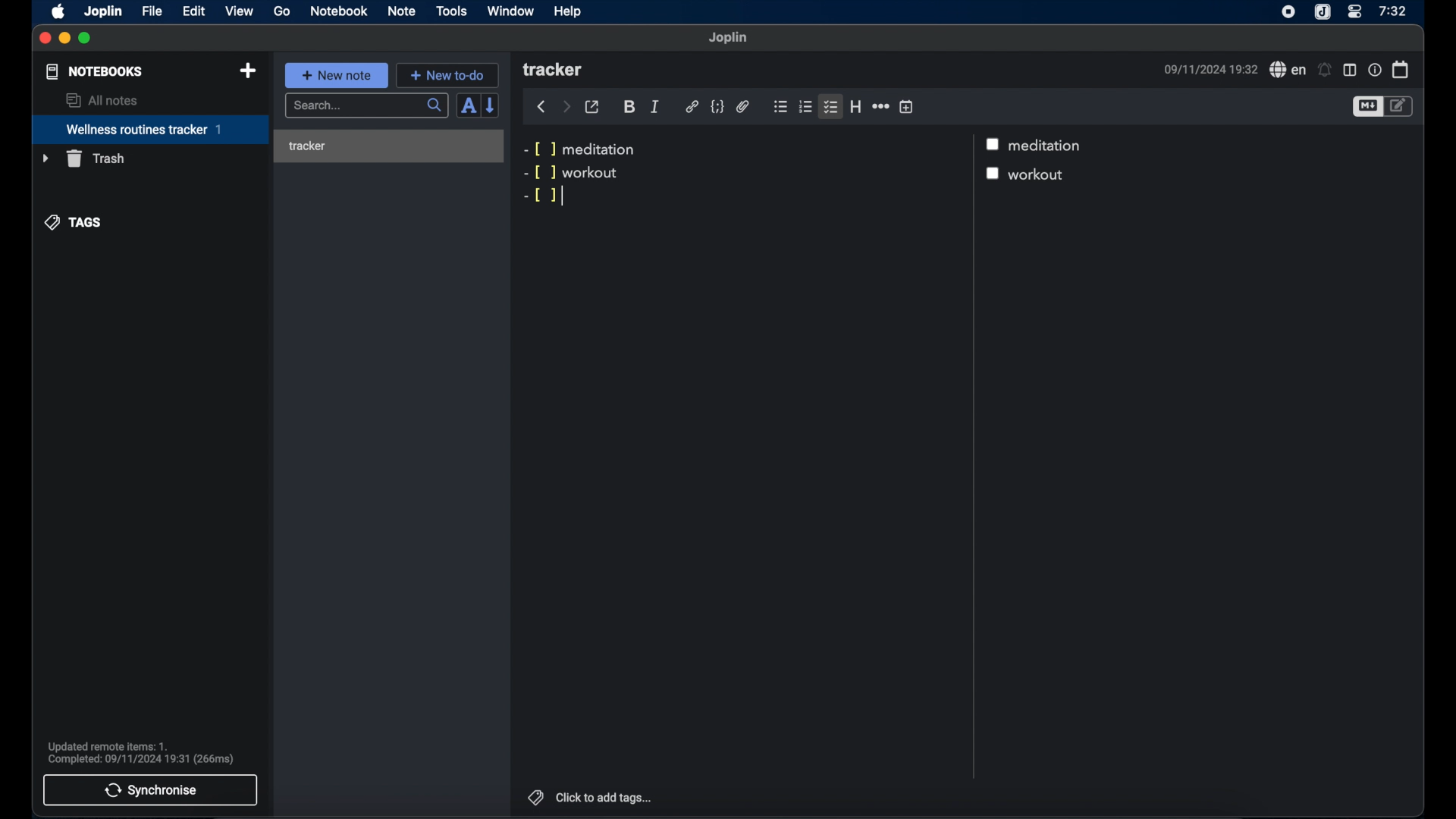 Image resolution: width=1456 pixels, height=819 pixels. I want to click on -[ ] workout, so click(570, 173).